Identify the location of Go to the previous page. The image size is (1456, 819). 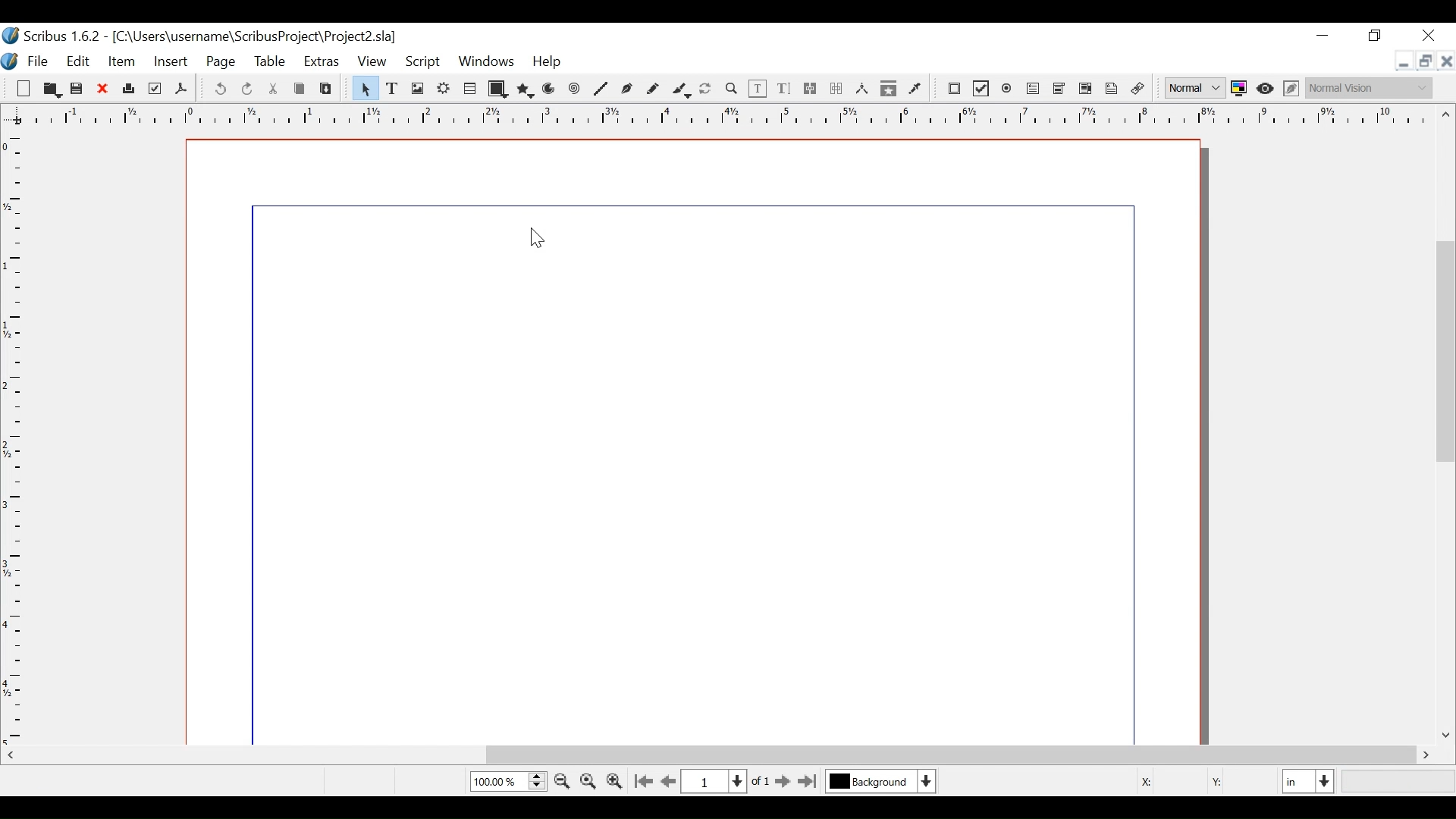
(671, 782).